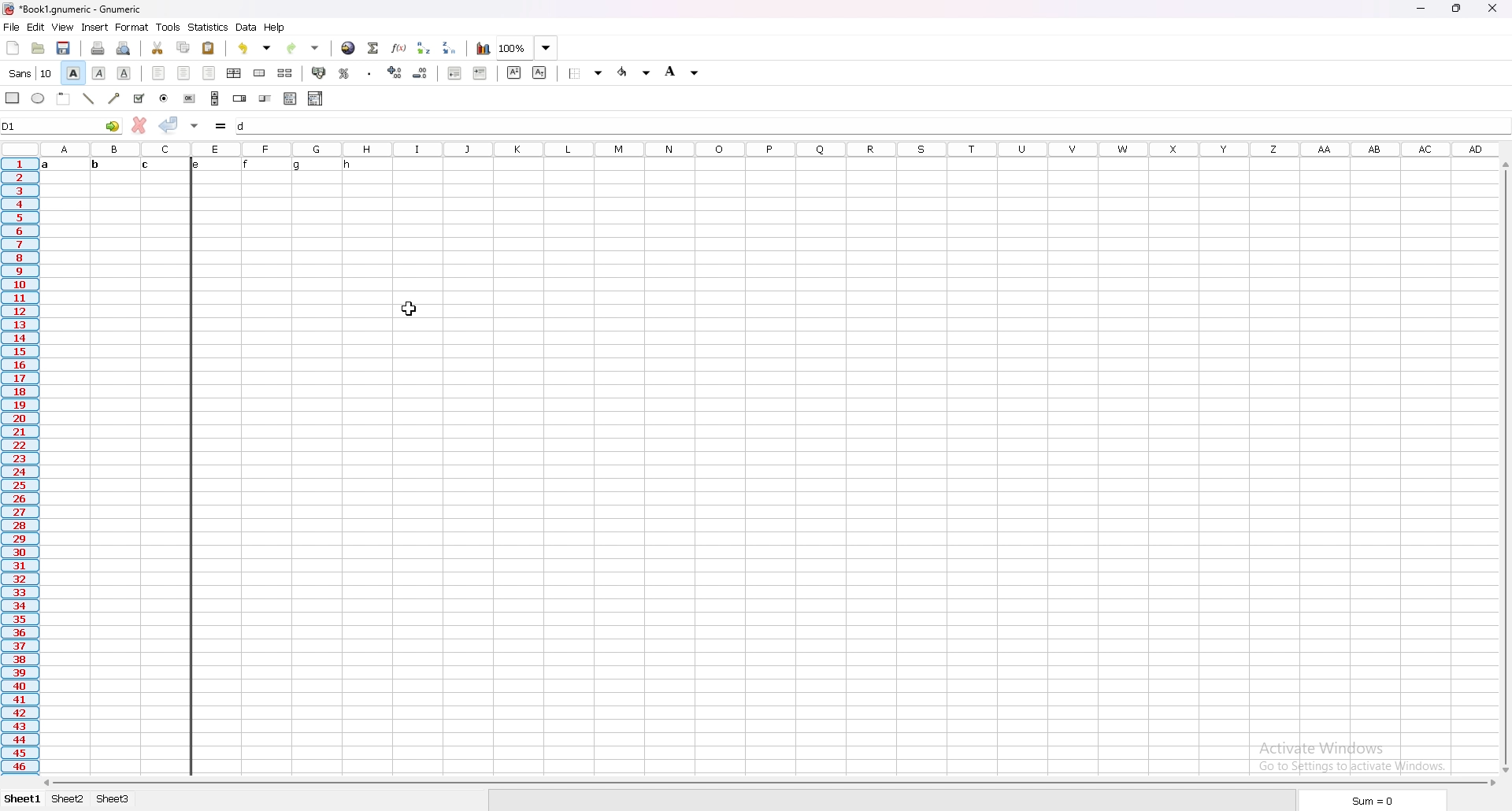  What do you see at coordinates (450, 47) in the screenshot?
I see `sort descending` at bounding box center [450, 47].